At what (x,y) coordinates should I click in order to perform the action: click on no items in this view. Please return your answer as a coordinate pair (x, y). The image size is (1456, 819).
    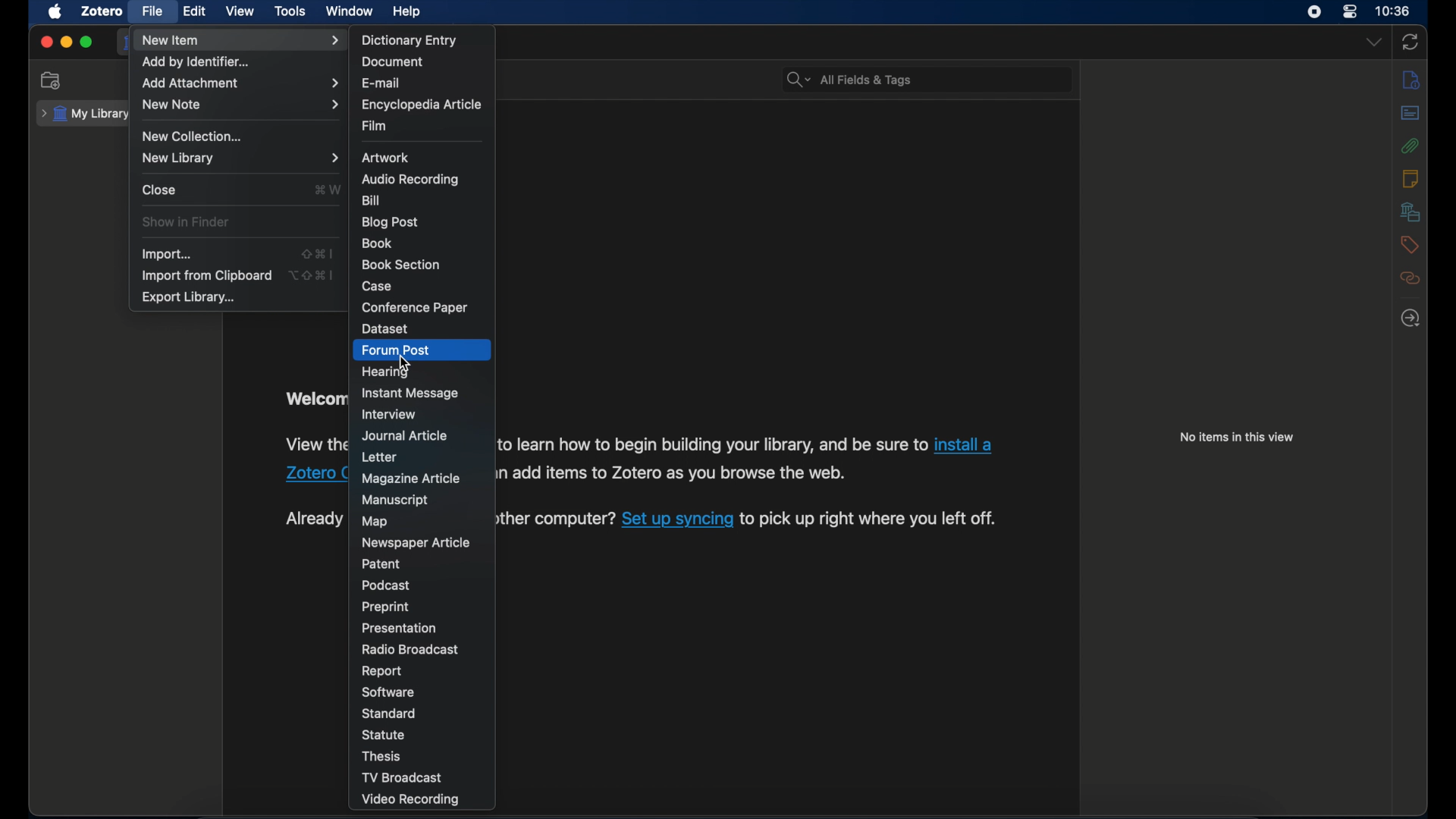
    Looking at the image, I should click on (1237, 437).